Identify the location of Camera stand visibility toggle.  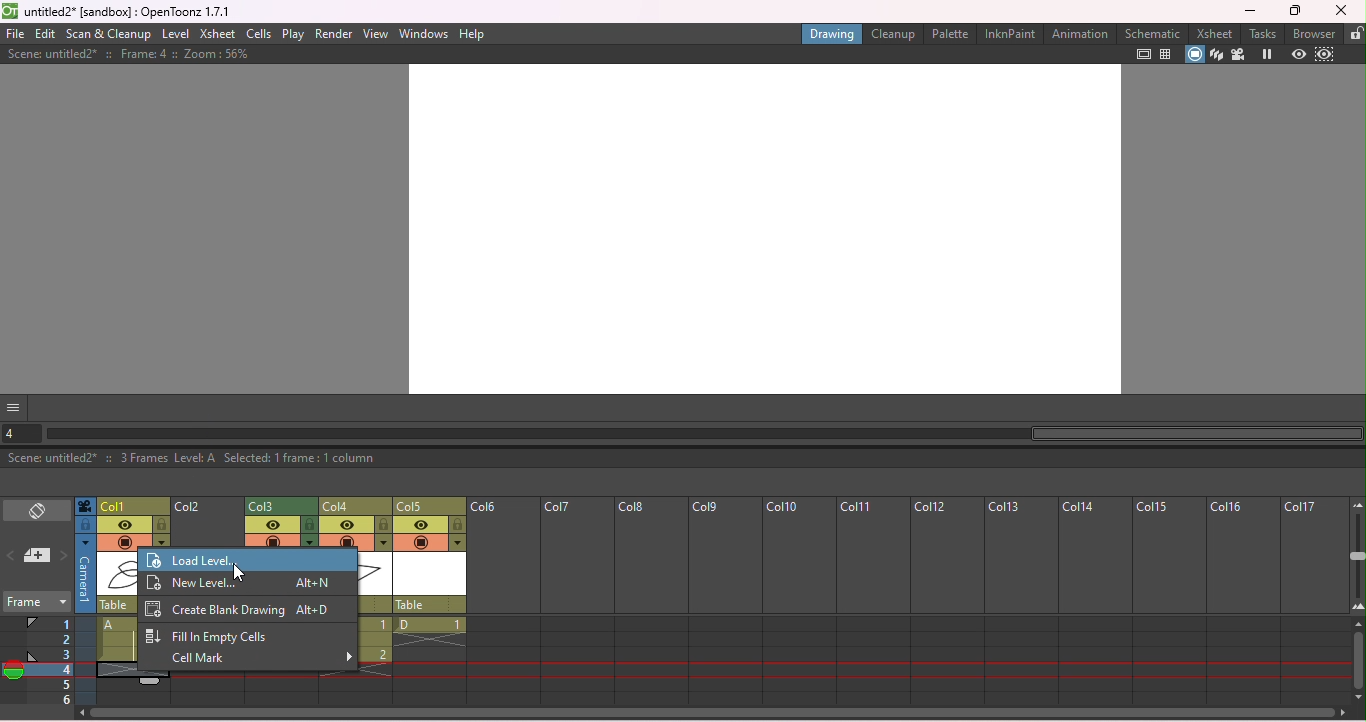
(124, 543).